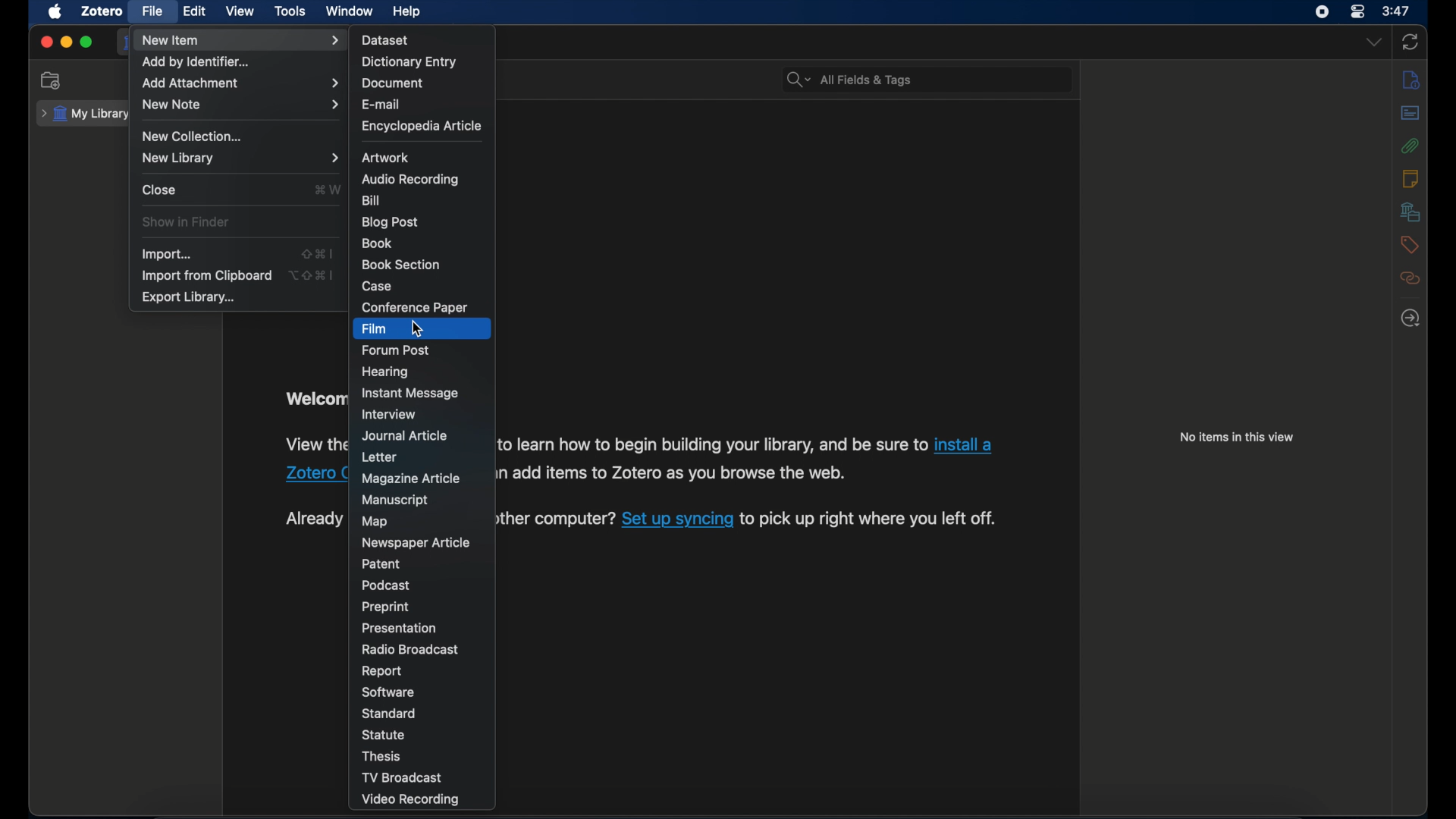 This screenshot has height=819, width=1456. I want to click on text, so click(713, 443).